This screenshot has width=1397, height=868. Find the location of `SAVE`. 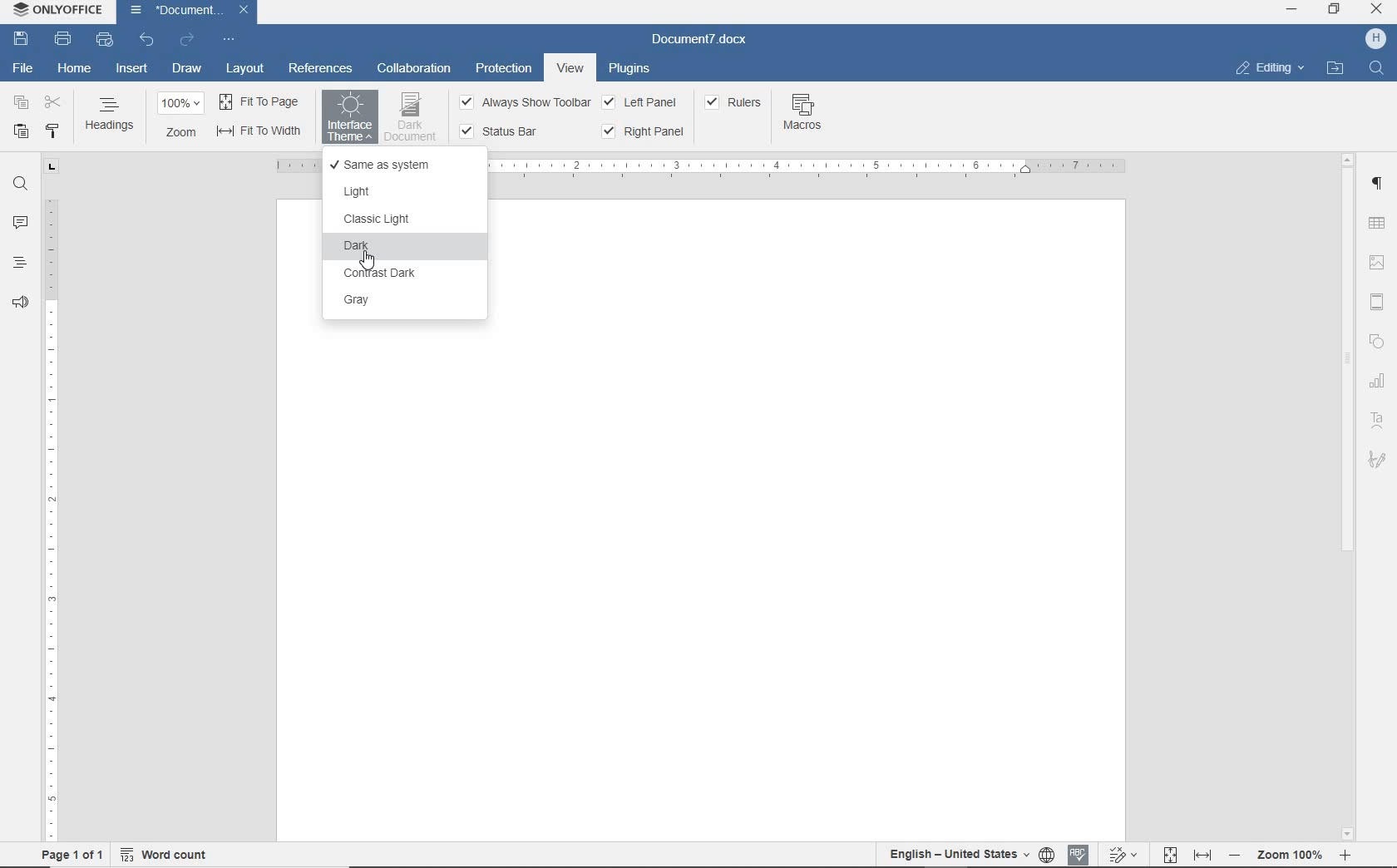

SAVE is located at coordinates (21, 39).